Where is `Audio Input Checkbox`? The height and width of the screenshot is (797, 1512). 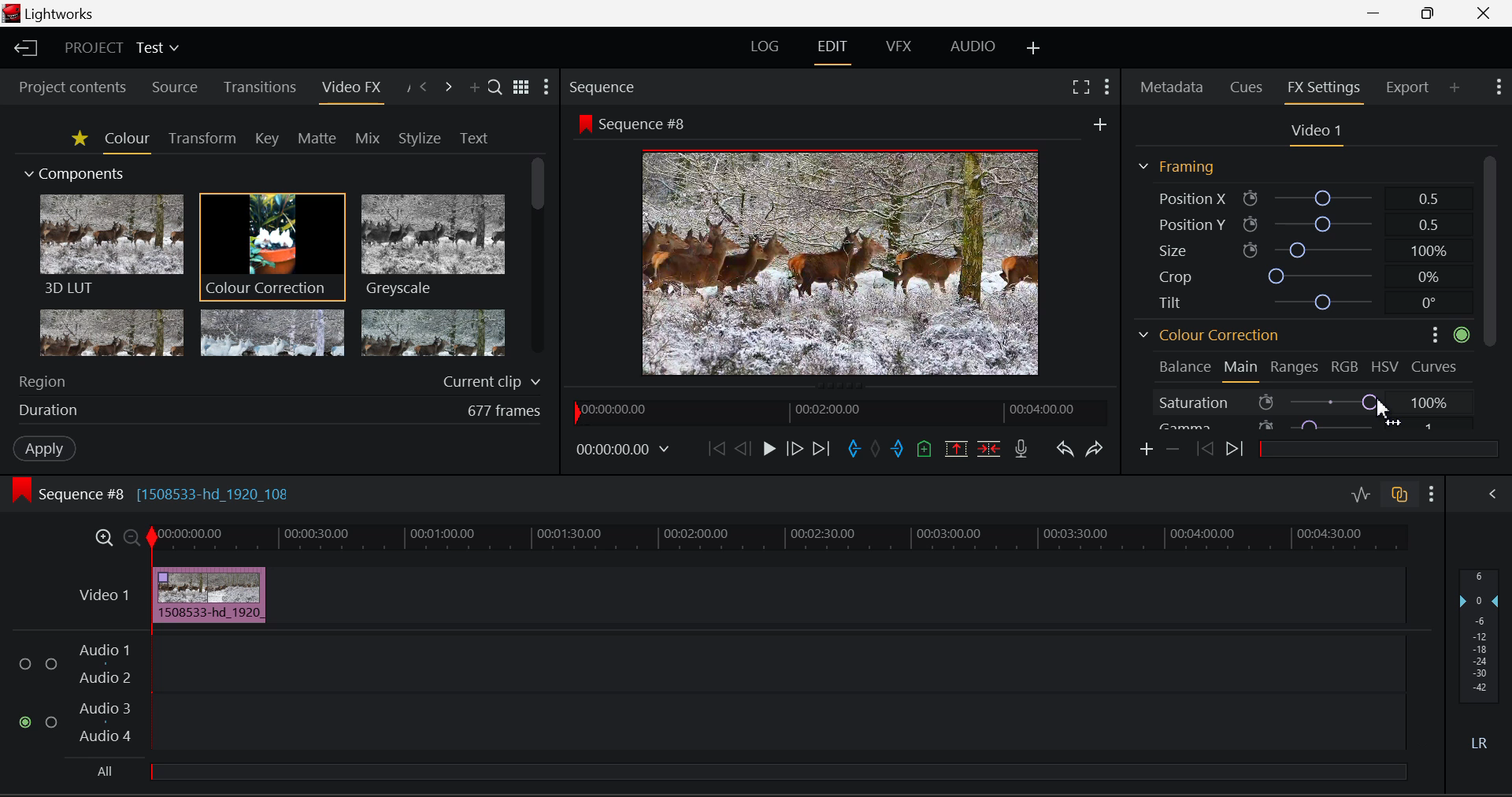 Audio Input Checkbox is located at coordinates (51, 721).